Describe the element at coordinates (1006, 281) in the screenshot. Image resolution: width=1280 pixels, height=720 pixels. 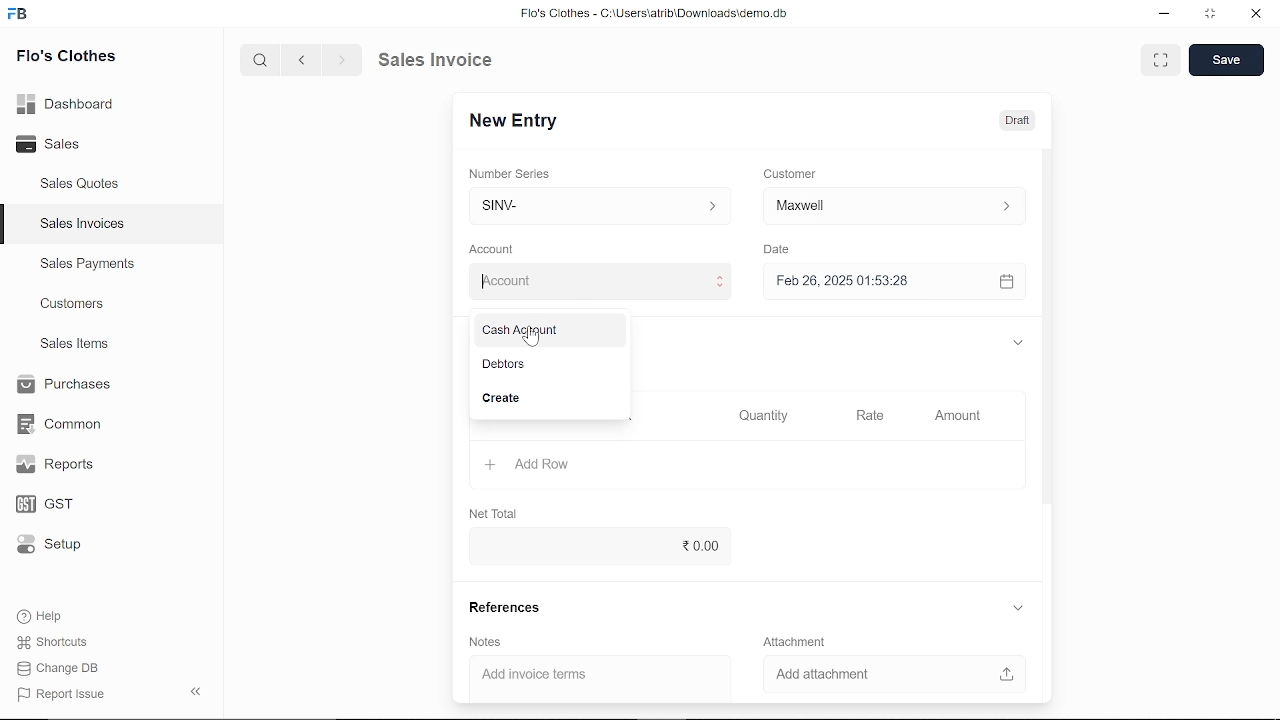
I see `open calender` at that location.